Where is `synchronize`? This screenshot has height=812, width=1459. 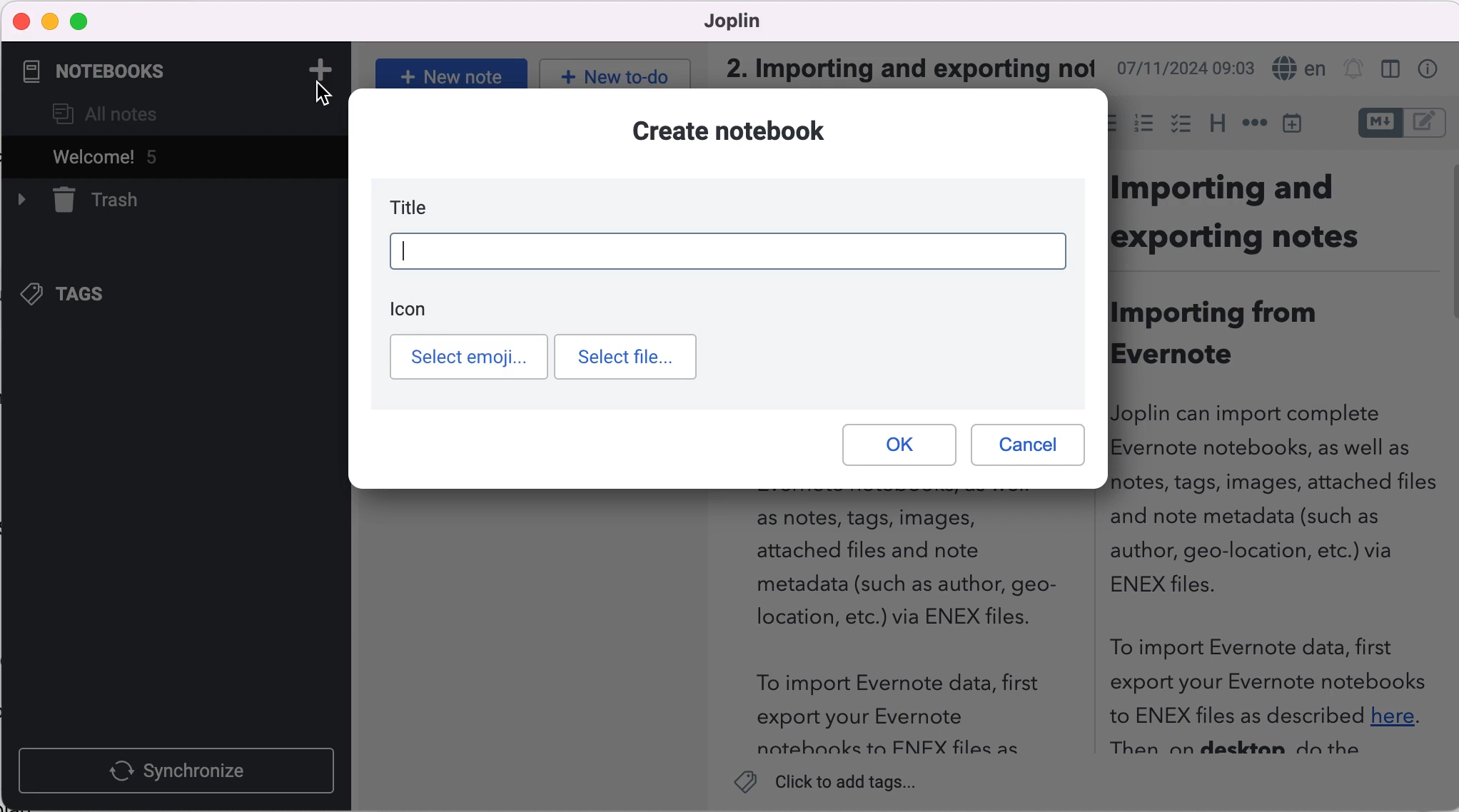 synchronize is located at coordinates (178, 771).